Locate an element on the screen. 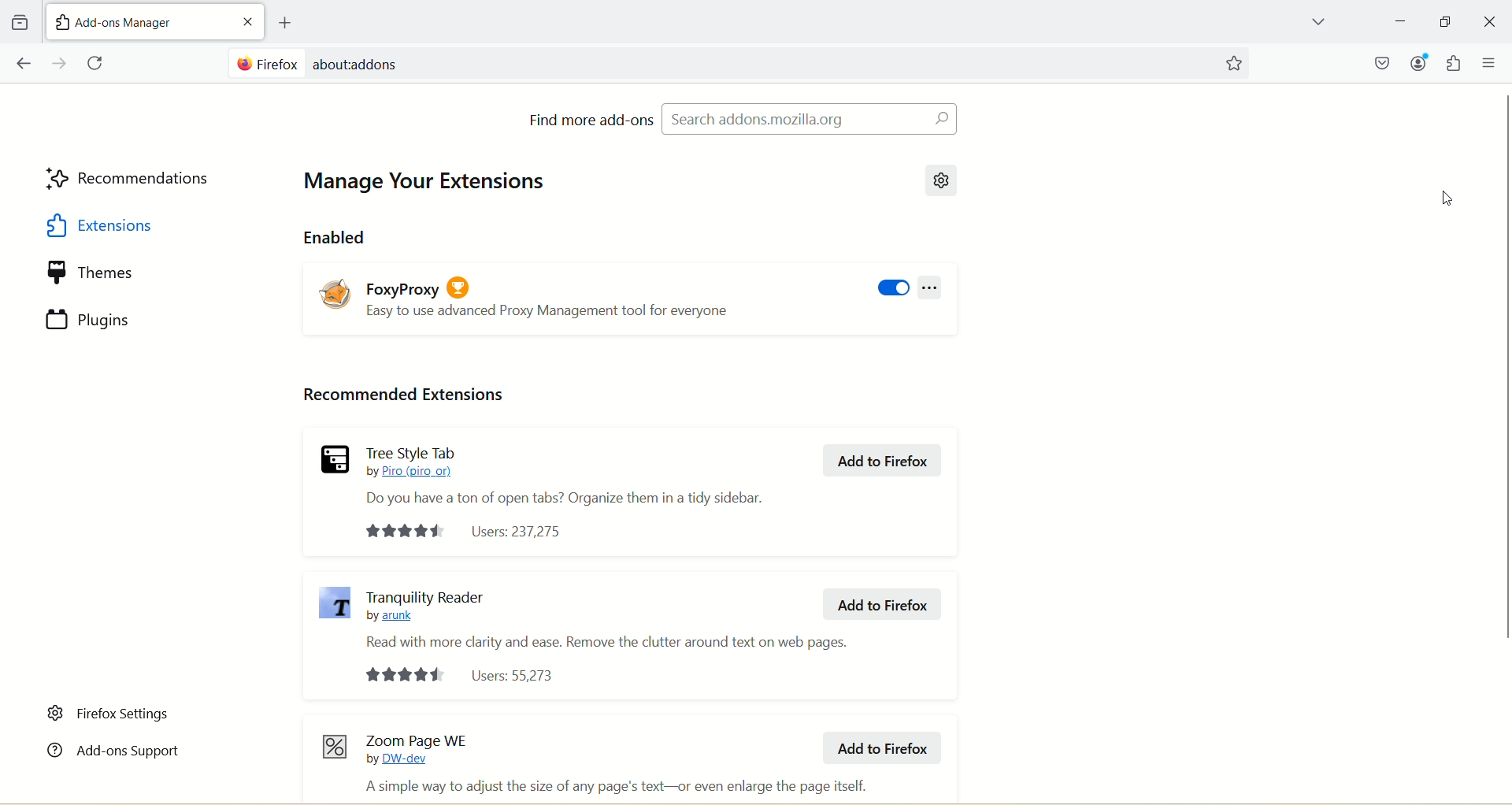  Starred is located at coordinates (1233, 64).